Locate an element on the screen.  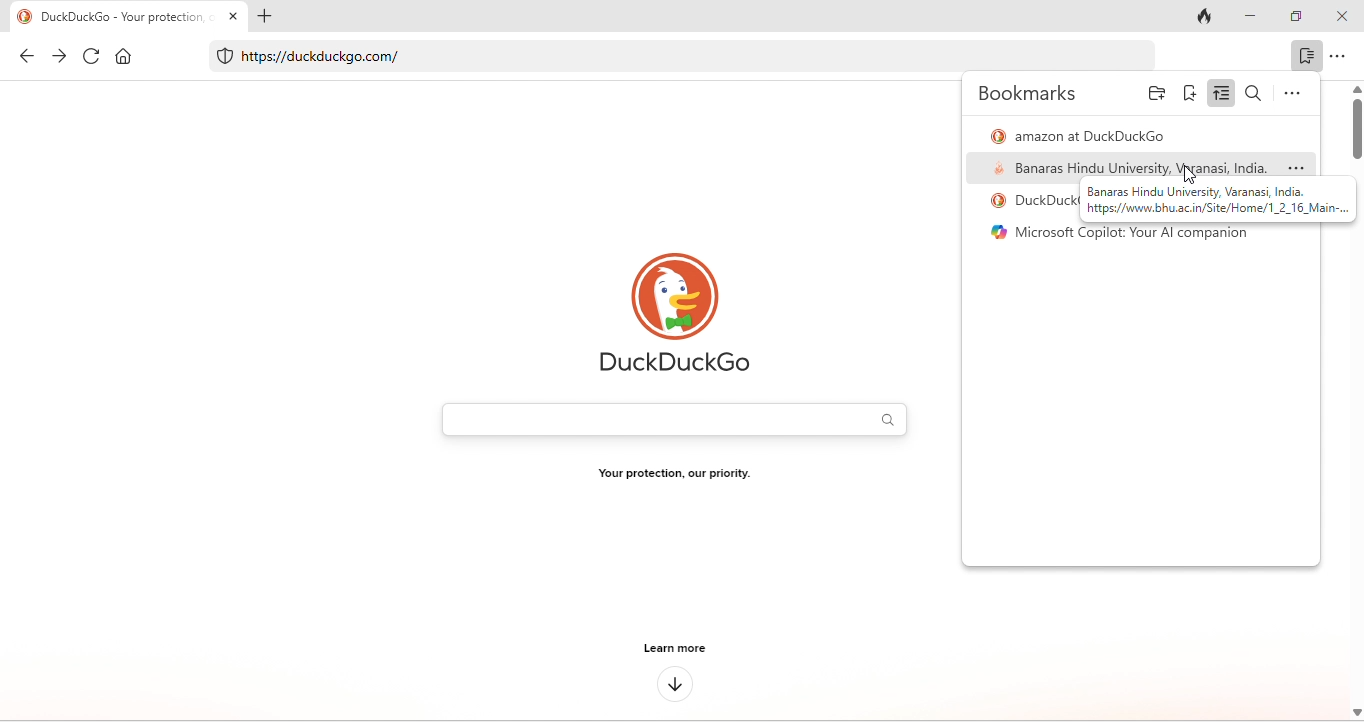
forward is located at coordinates (58, 56).